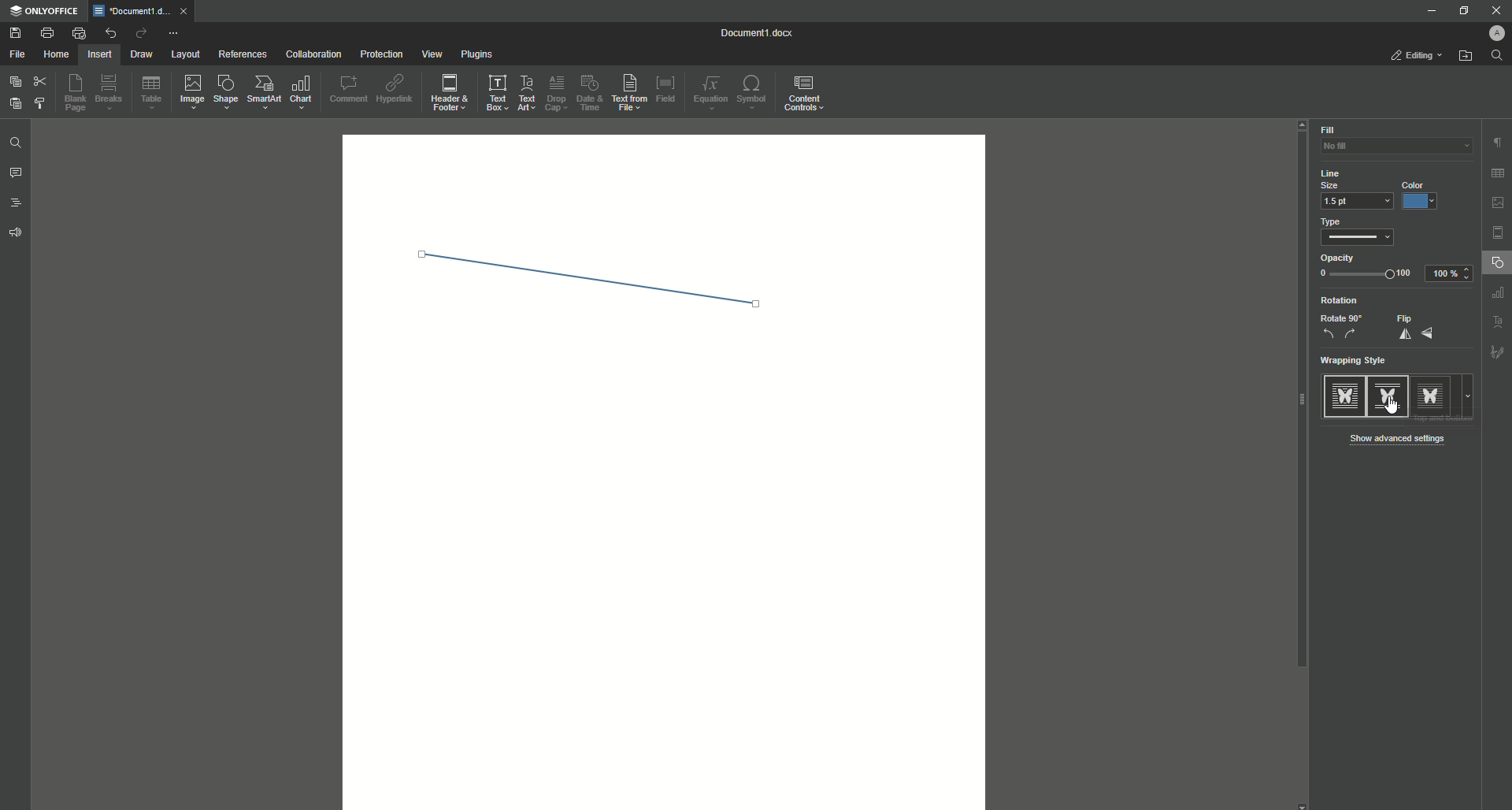 The width and height of the screenshot is (1512, 810). What do you see at coordinates (451, 94) in the screenshot?
I see `Header and Footer` at bounding box center [451, 94].